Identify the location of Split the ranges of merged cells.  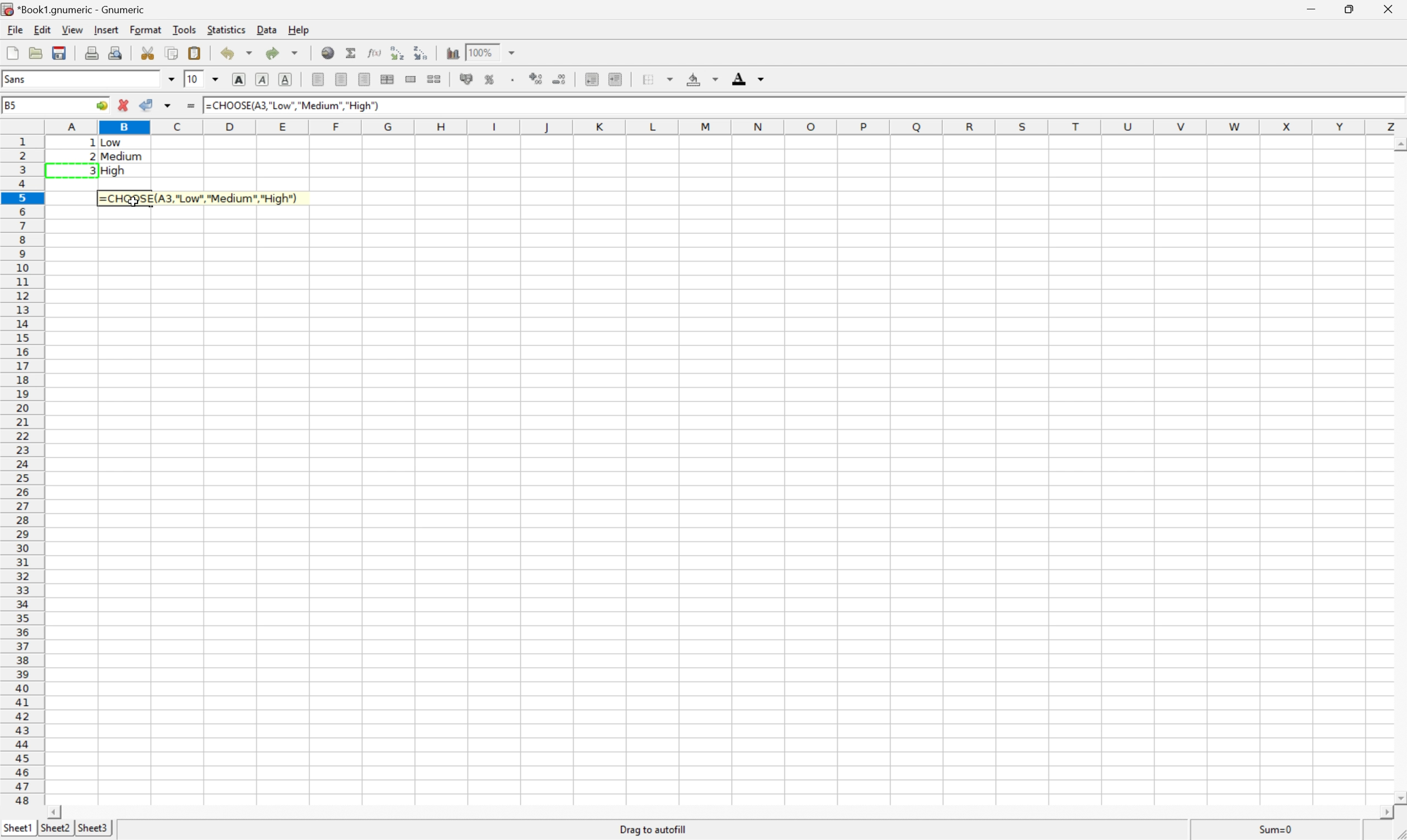
(434, 80).